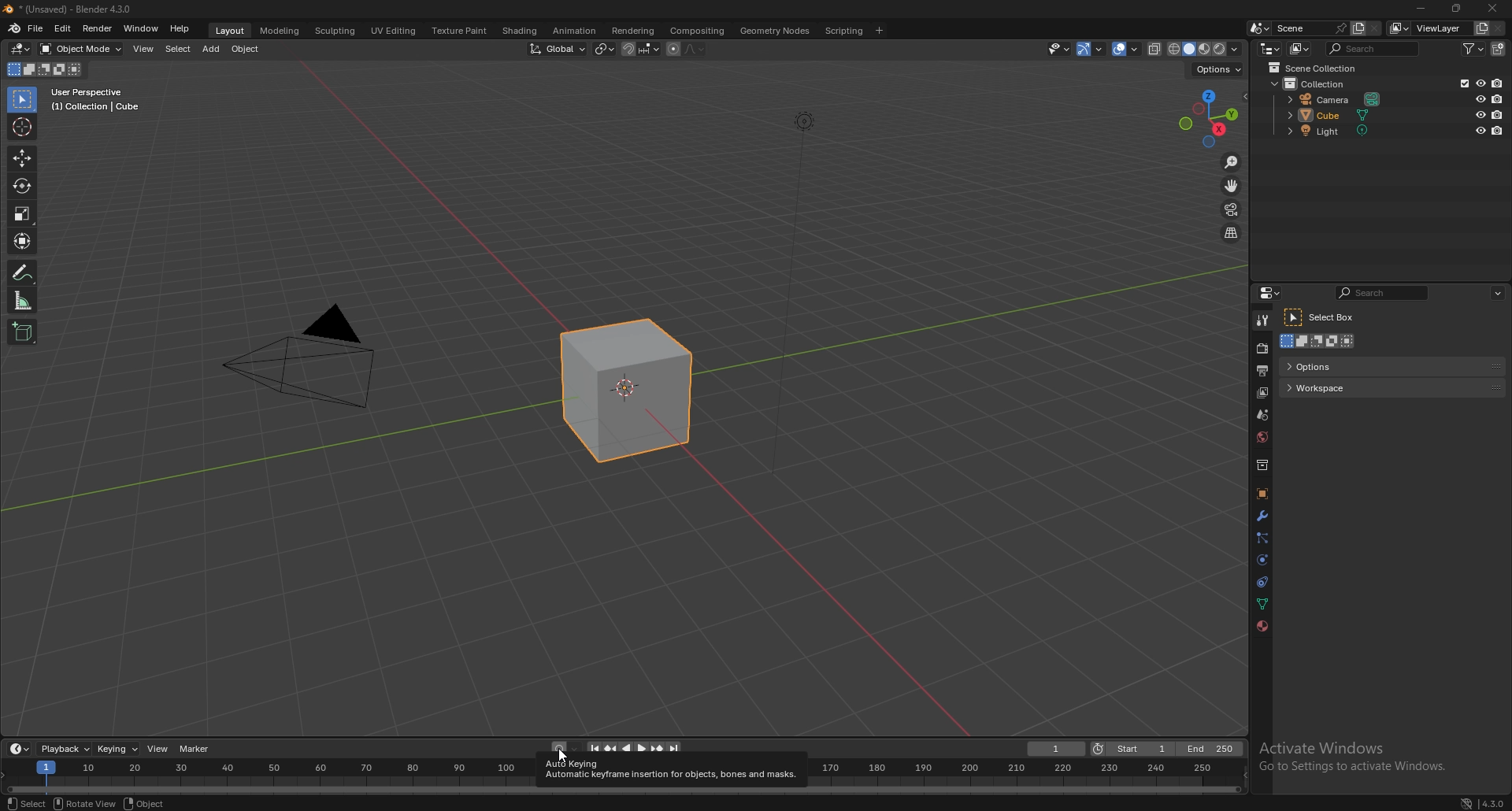 This screenshot has width=1512, height=811. Describe the element at coordinates (96, 100) in the screenshot. I see `User Perspective (1) Collection | Cube` at that location.